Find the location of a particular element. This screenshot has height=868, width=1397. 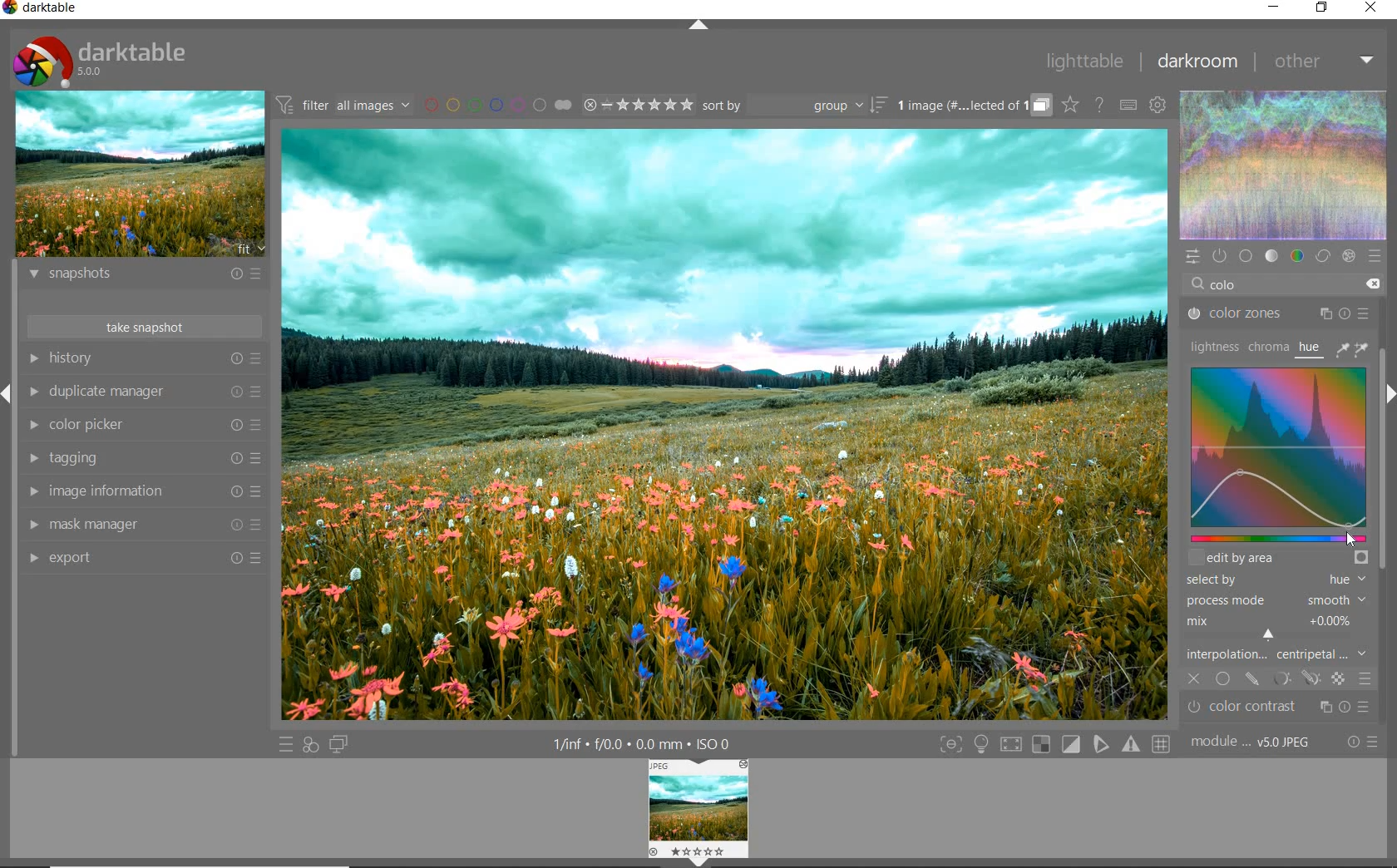

grouped images is located at coordinates (972, 106).